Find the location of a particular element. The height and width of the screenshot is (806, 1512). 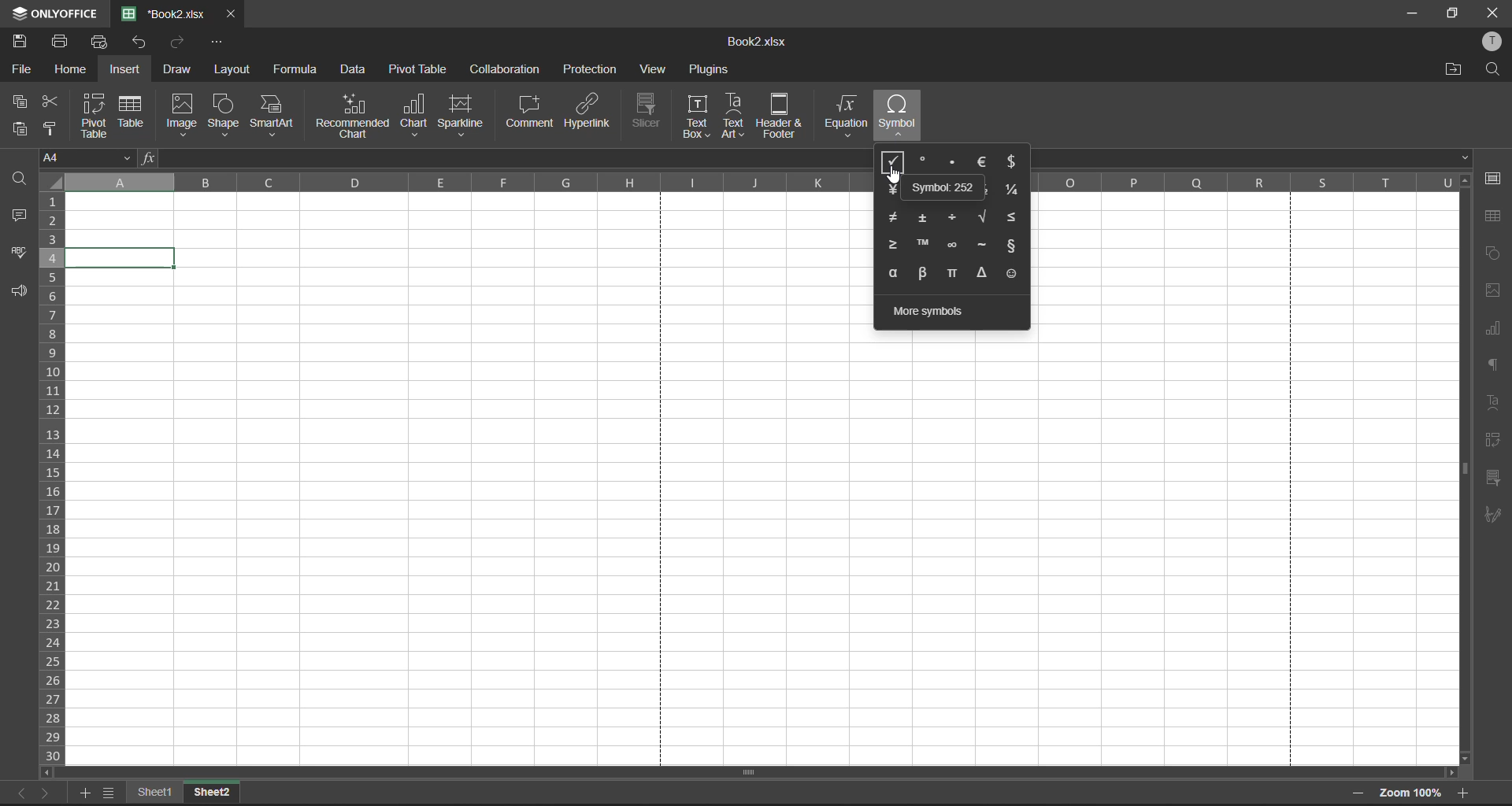

trade mark sign is located at coordinates (926, 246).